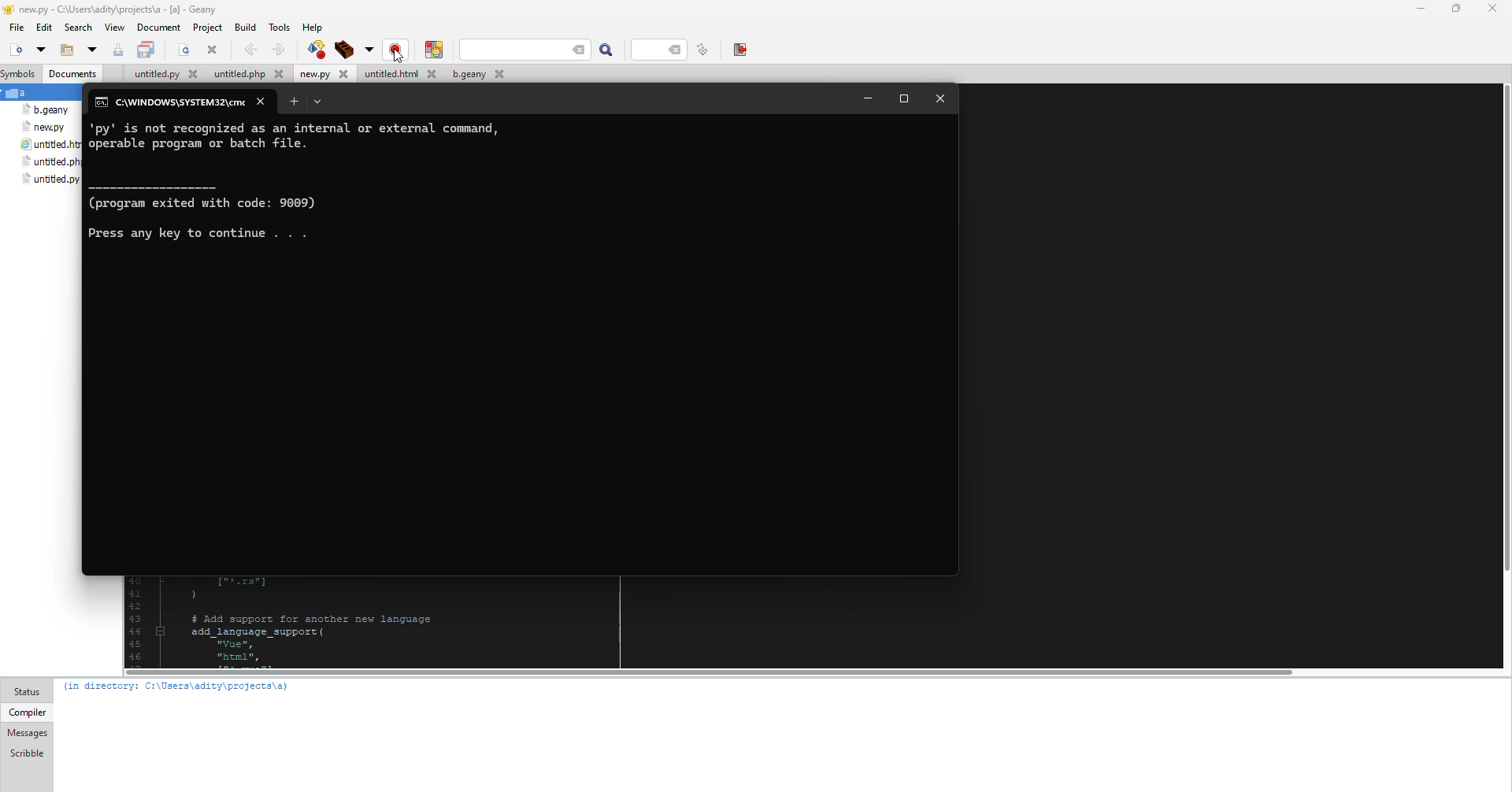 This screenshot has height=792, width=1512. What do you see at coordinates (14, 27) in the screenshot?
I see `file` at bounding box center [14, 27].